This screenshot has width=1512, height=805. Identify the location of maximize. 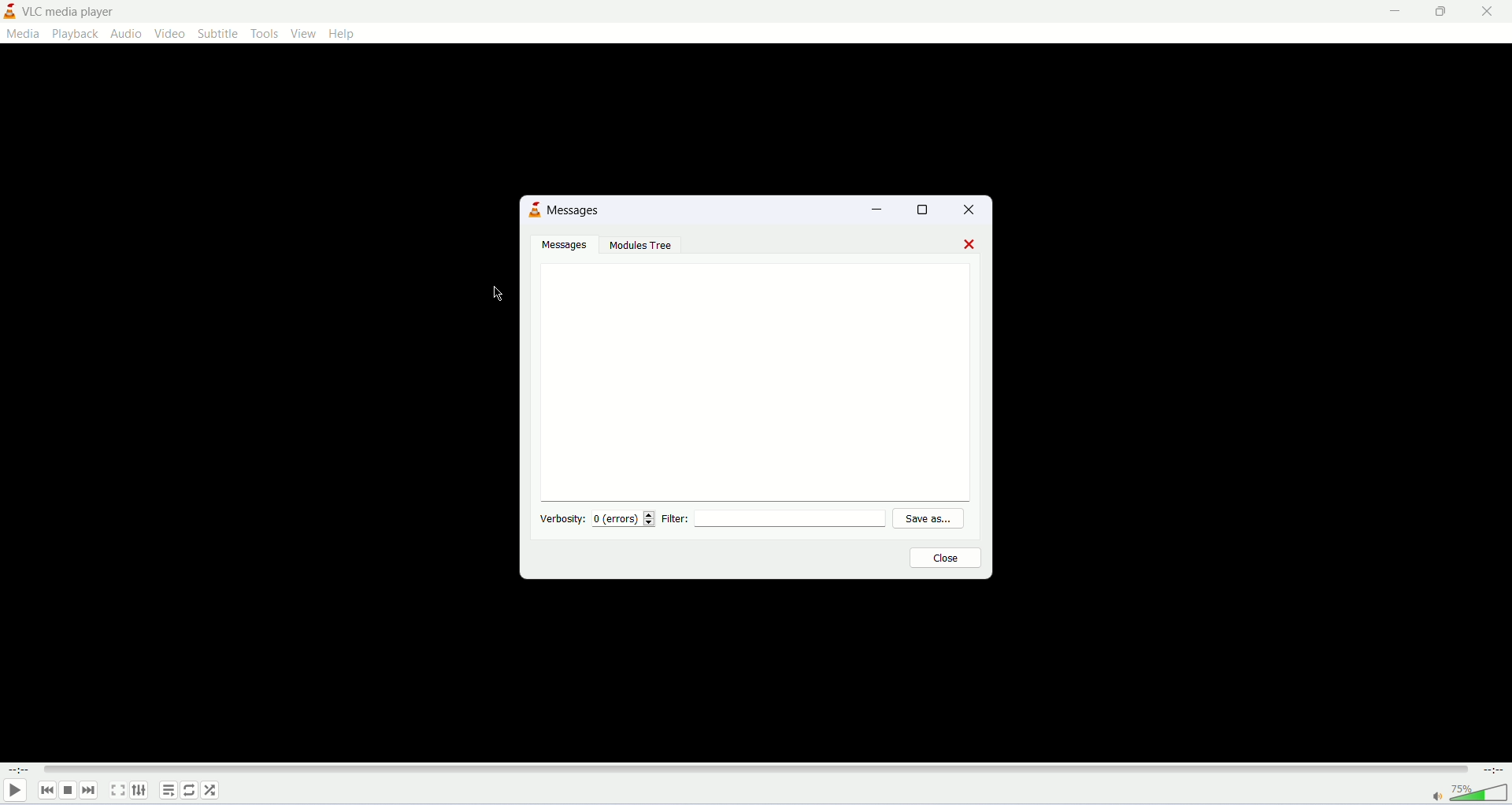
(1443, 15).